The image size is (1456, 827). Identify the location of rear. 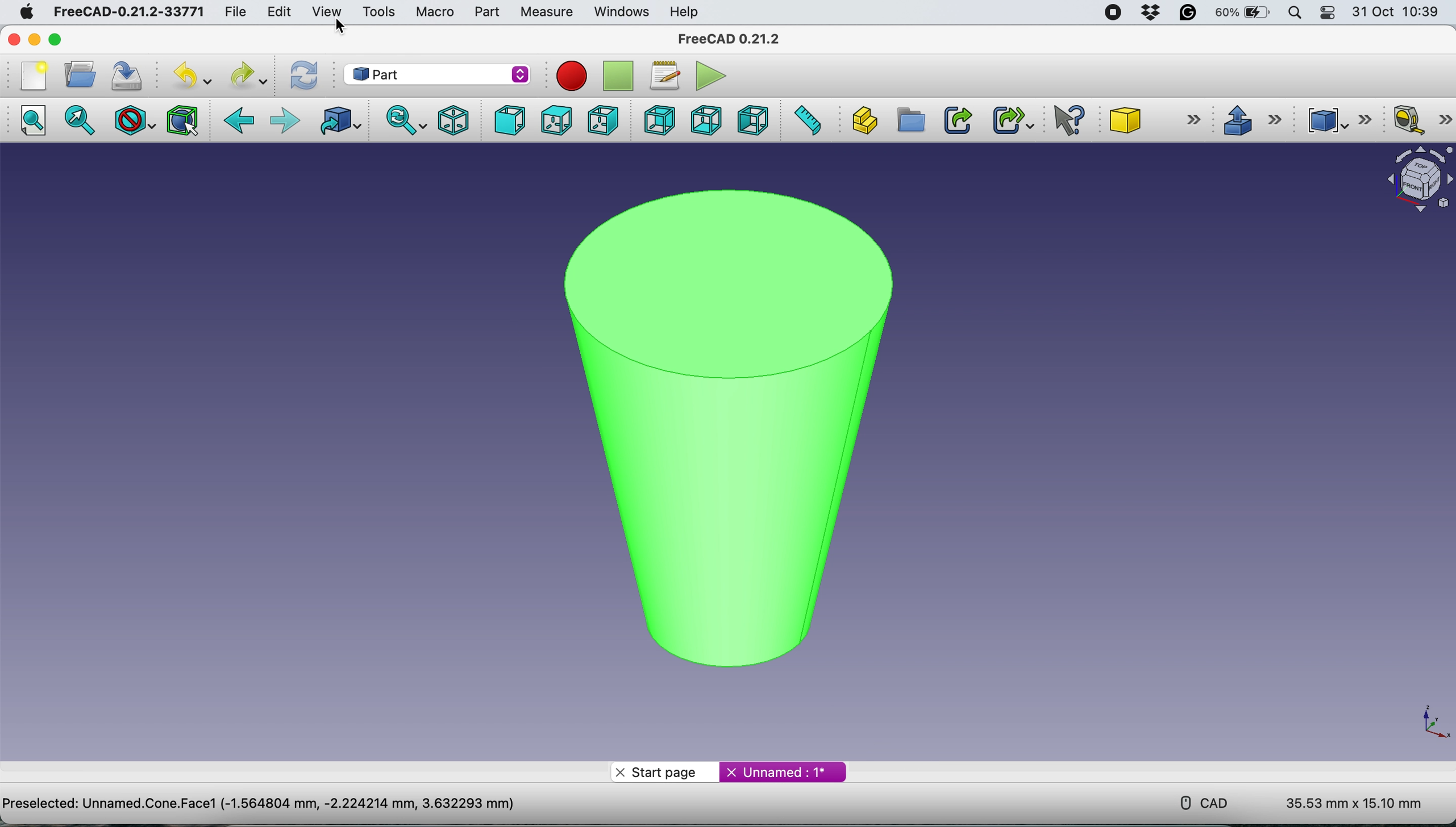
(658, 122).